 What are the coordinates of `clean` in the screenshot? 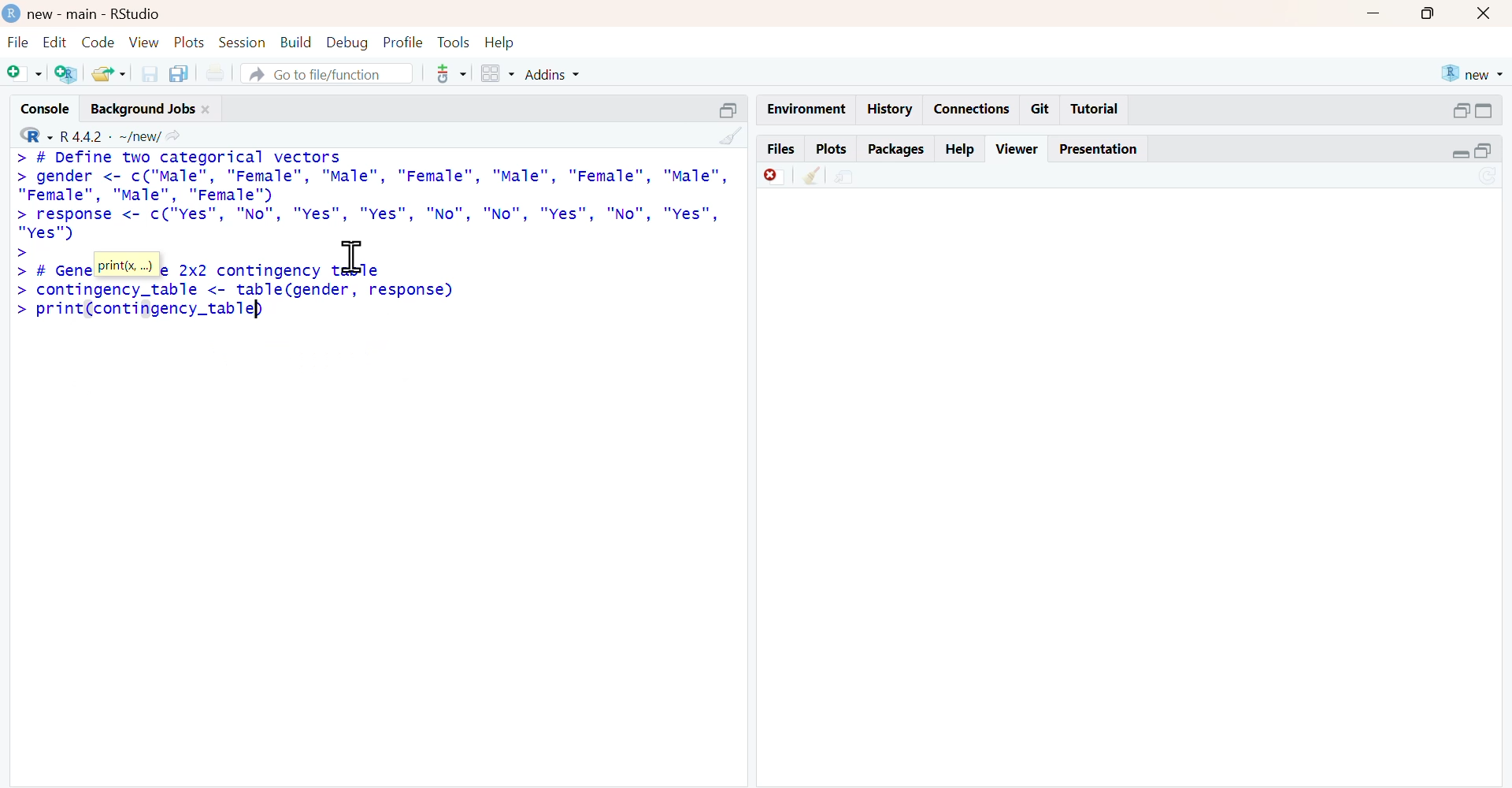 It's located at (812, 176).